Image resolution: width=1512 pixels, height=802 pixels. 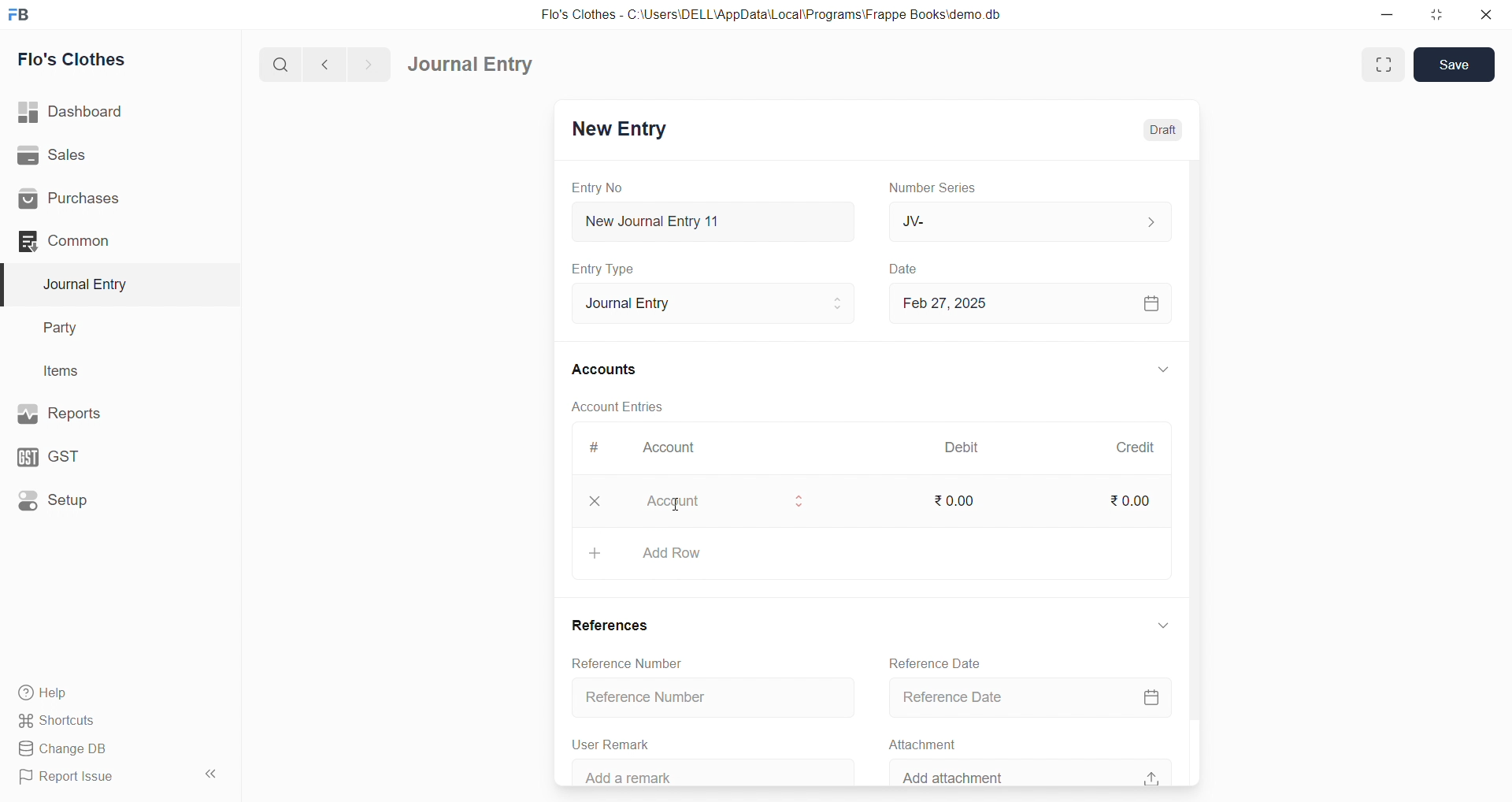 I want to click on Entry Type, so click(x=604, y=269).